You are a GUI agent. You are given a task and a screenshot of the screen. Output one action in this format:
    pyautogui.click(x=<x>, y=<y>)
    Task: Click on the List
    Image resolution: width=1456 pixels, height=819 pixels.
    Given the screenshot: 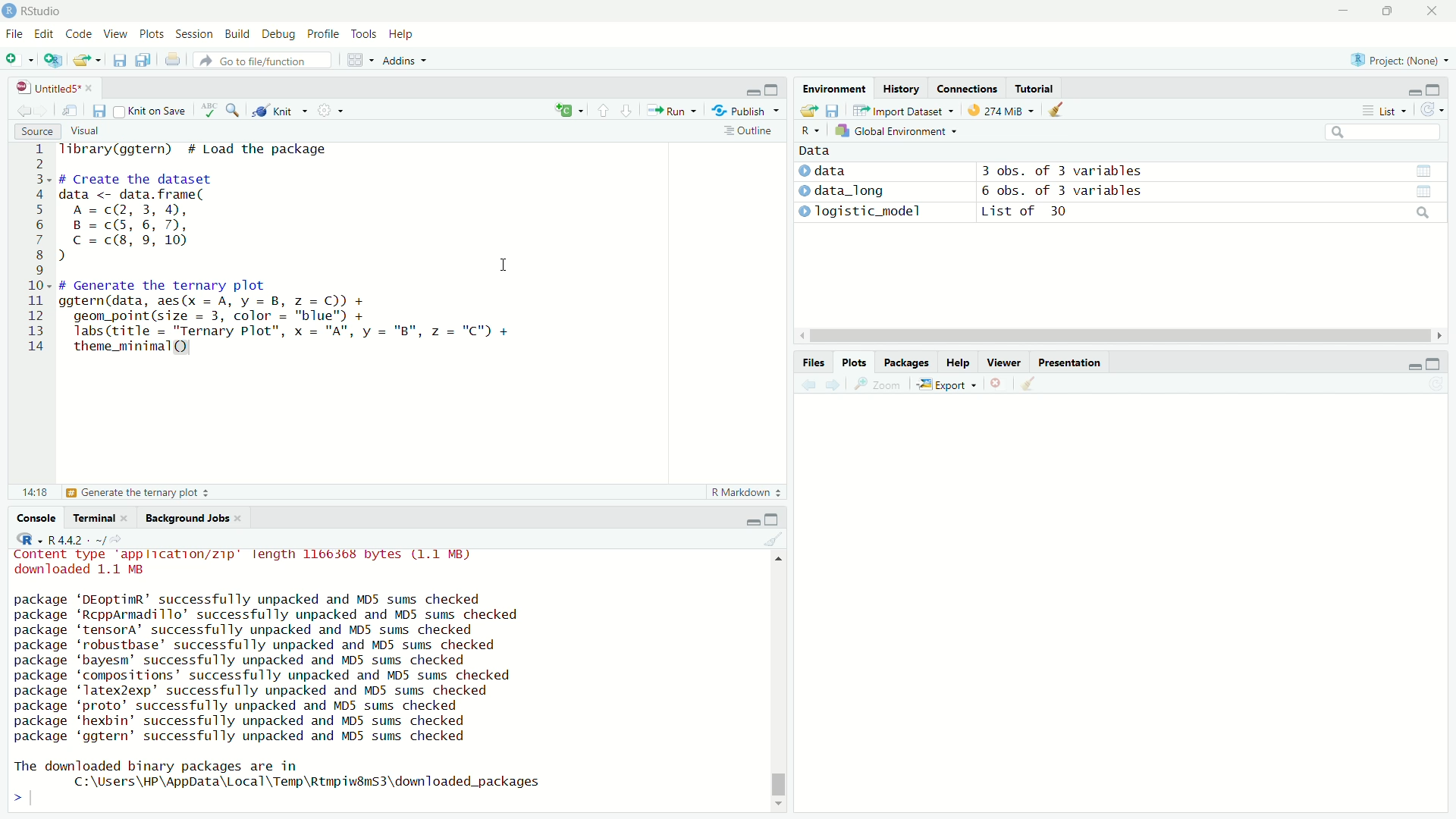 What is the action you would take?
    pyautogui.click(x=1381, y=111)
    